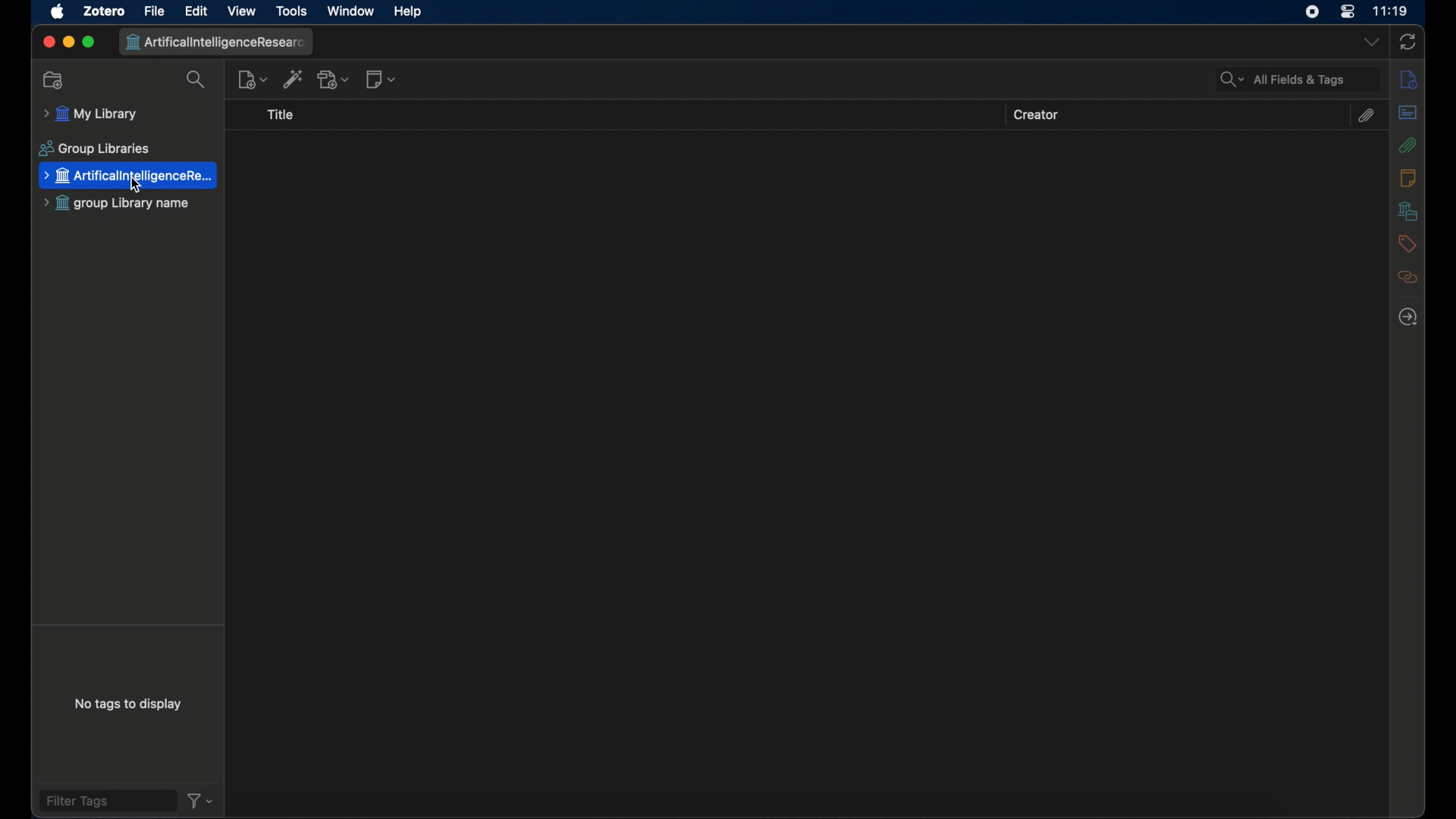  Describe the element at coordinates (1408, 145) in the screenshot. I see `attachments` at that location.